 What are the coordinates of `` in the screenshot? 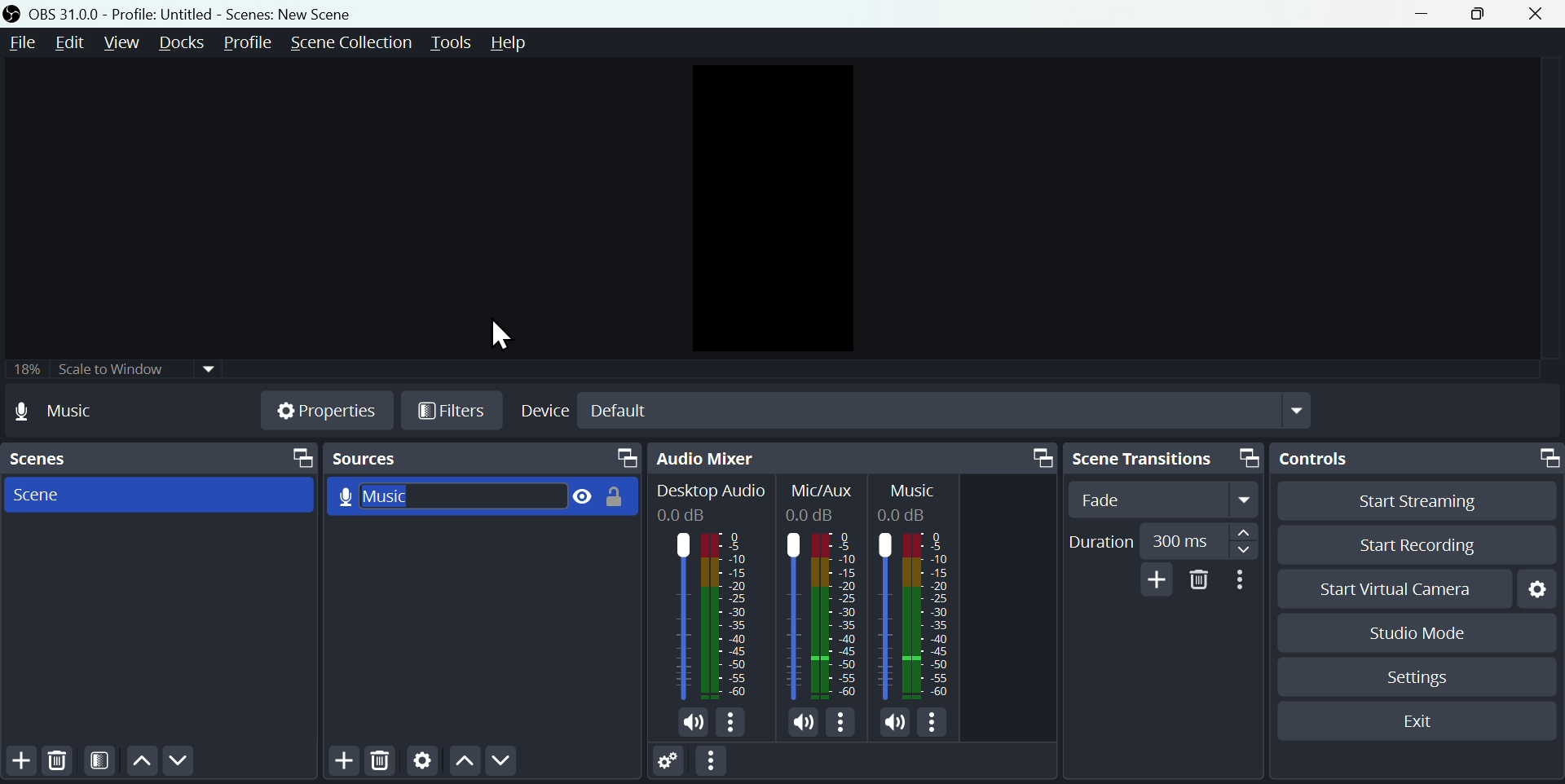 It's located at (818, 514).